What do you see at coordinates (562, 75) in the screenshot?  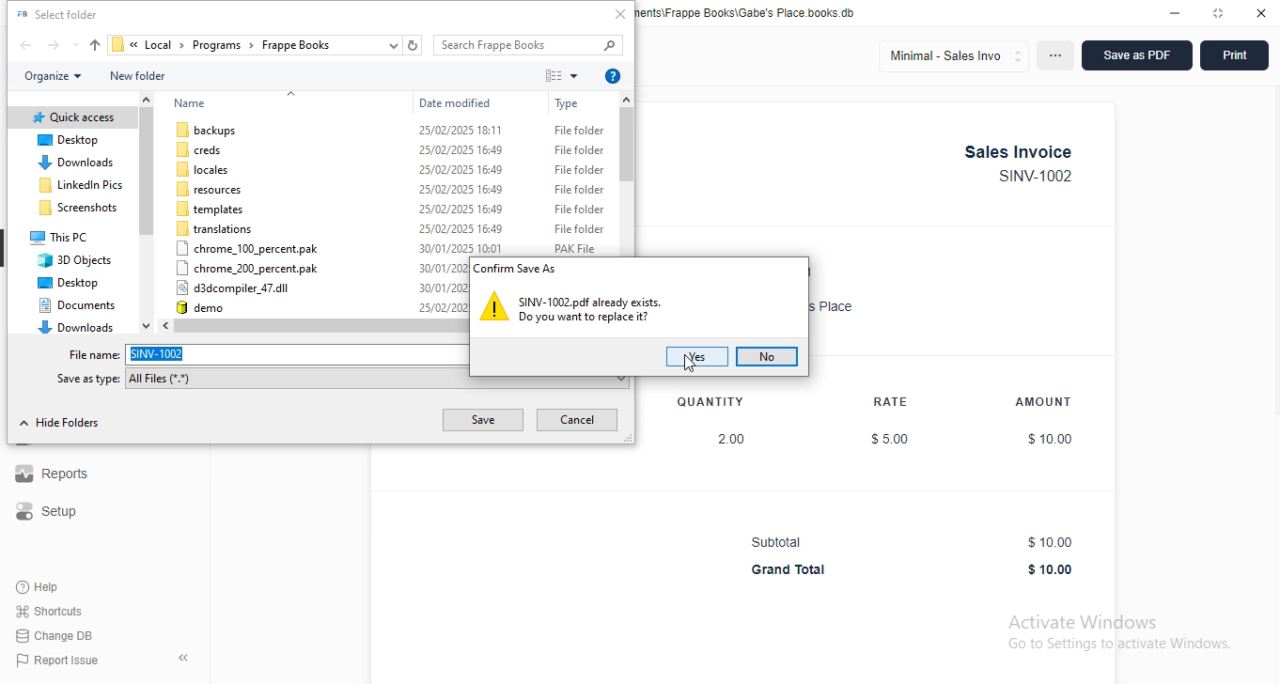 I see `change your view` at bounding box center [562, 75].